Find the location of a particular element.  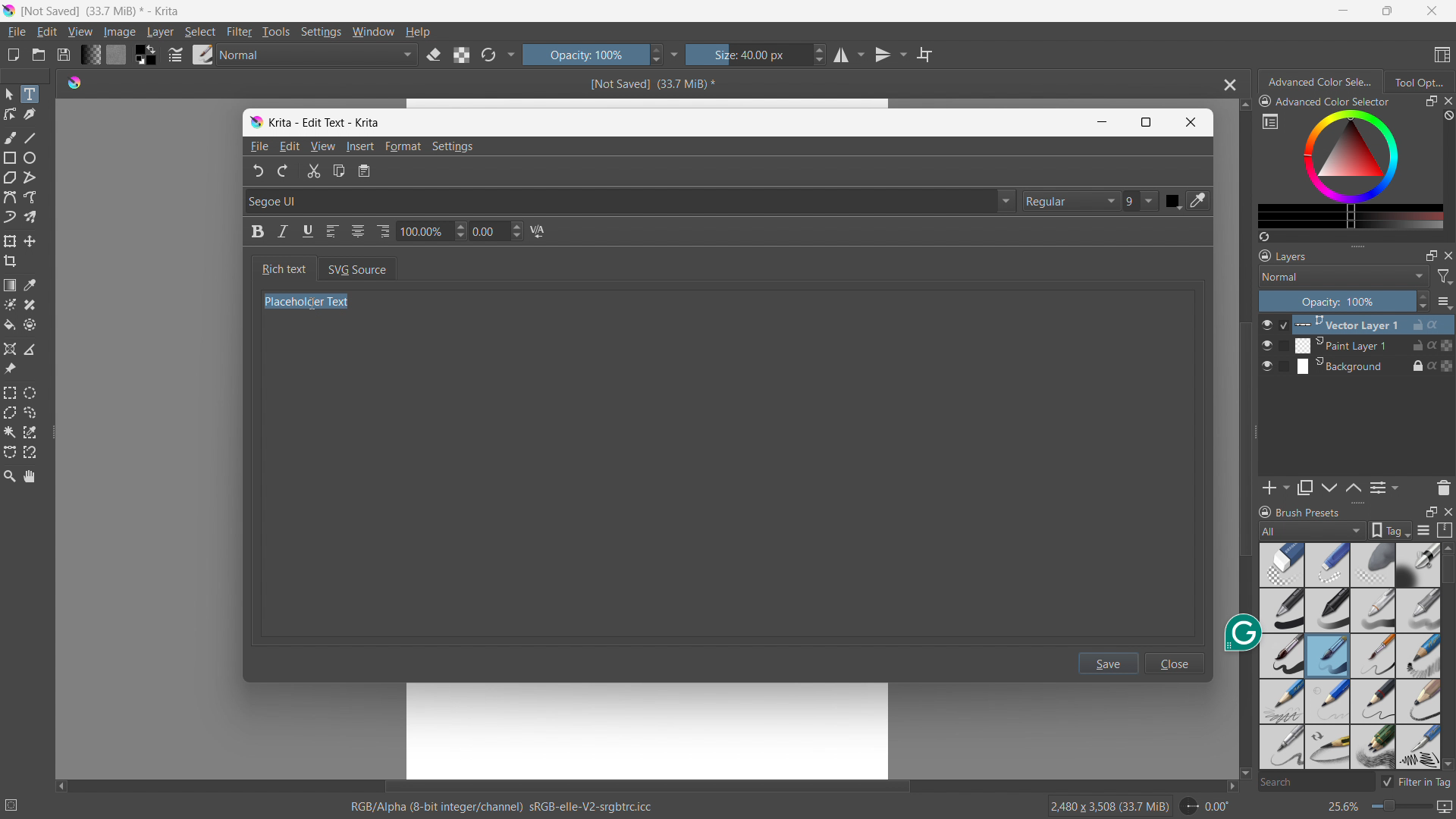

storage resource is located at coordinates (1445, 530).